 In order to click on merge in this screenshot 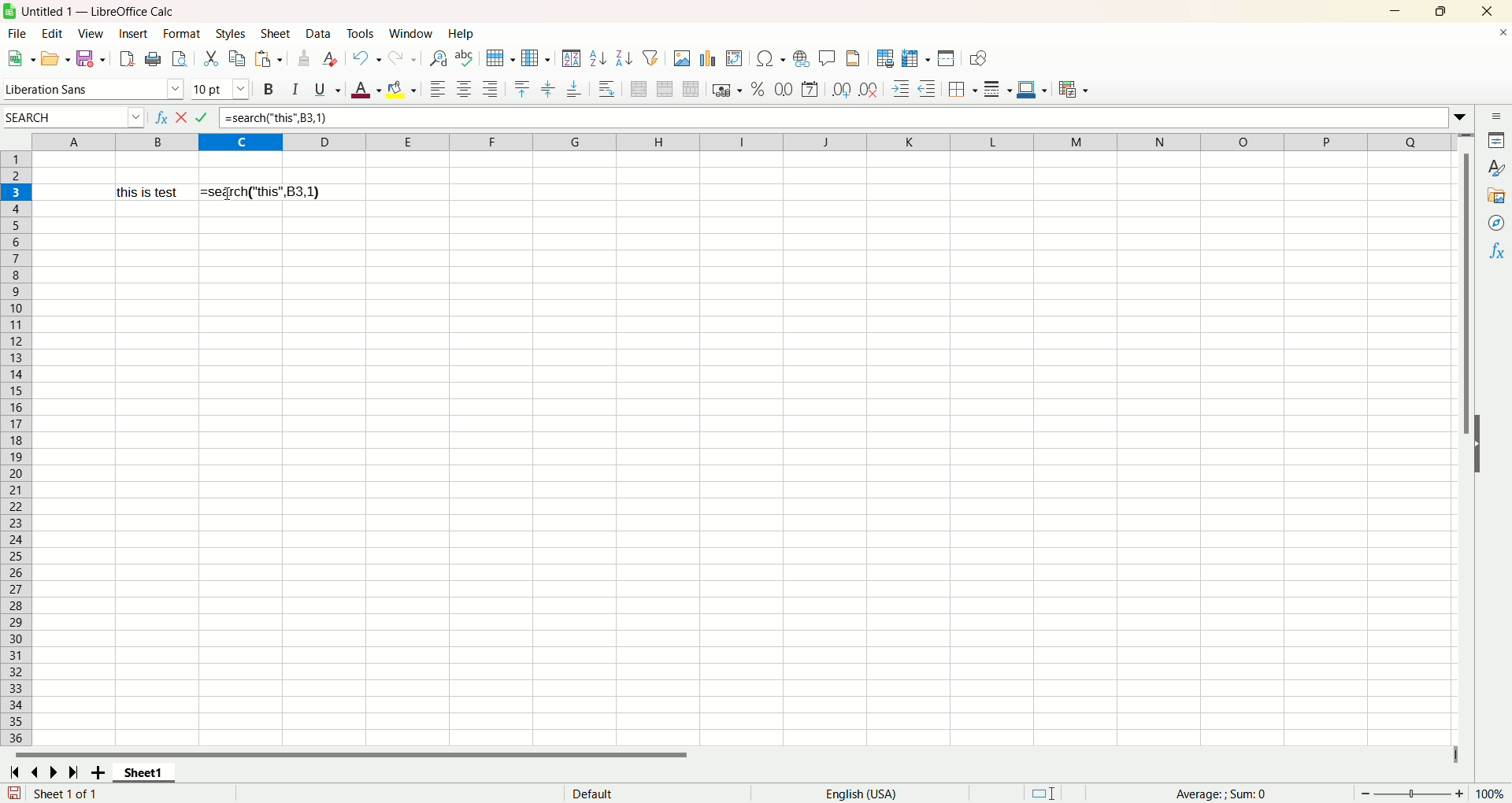, I will do `click(665, 89)`.